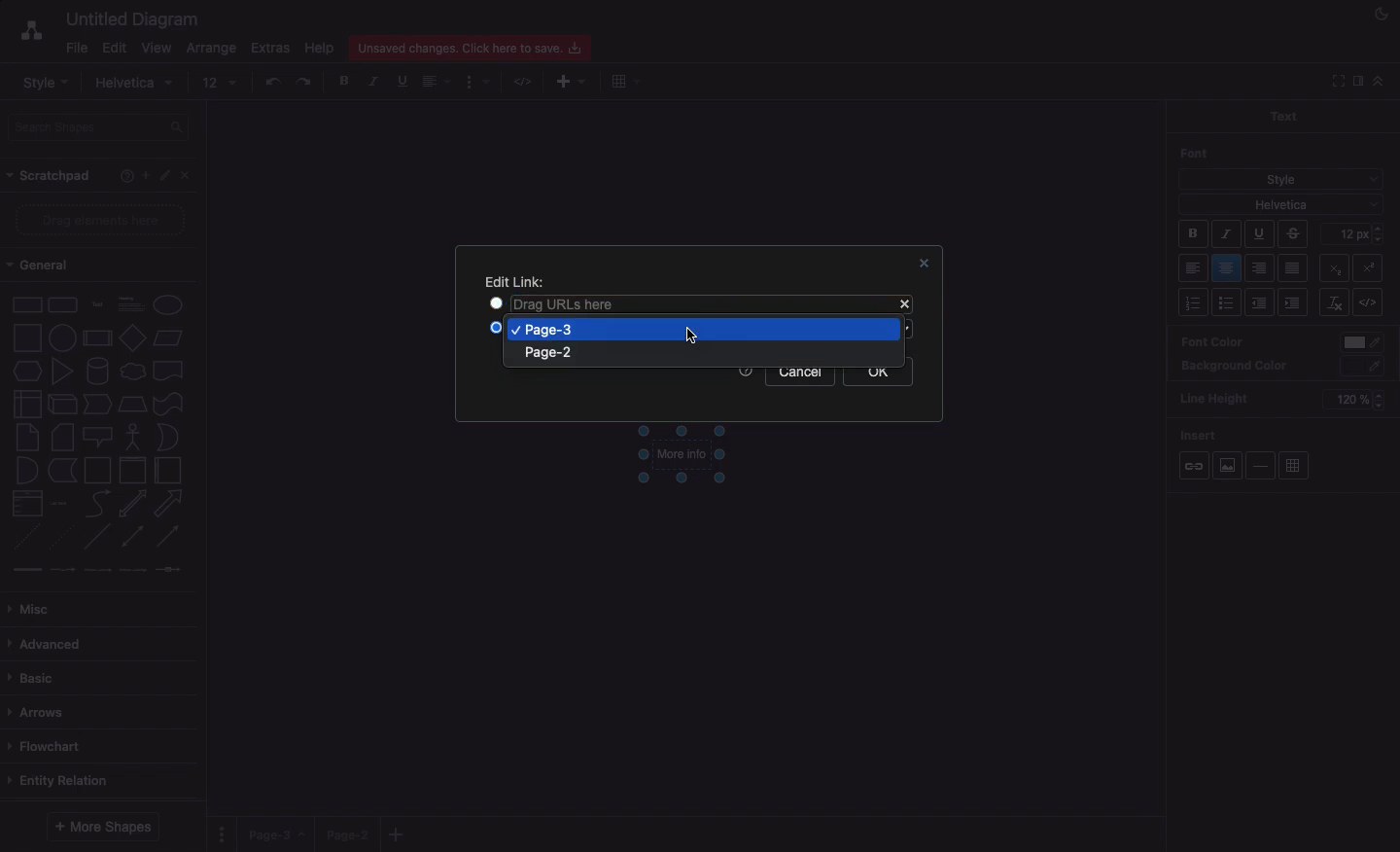  What do you see at coordinates (1281, 177) in the screenshot?
I see `Style` at bounding box center [1281, 177].